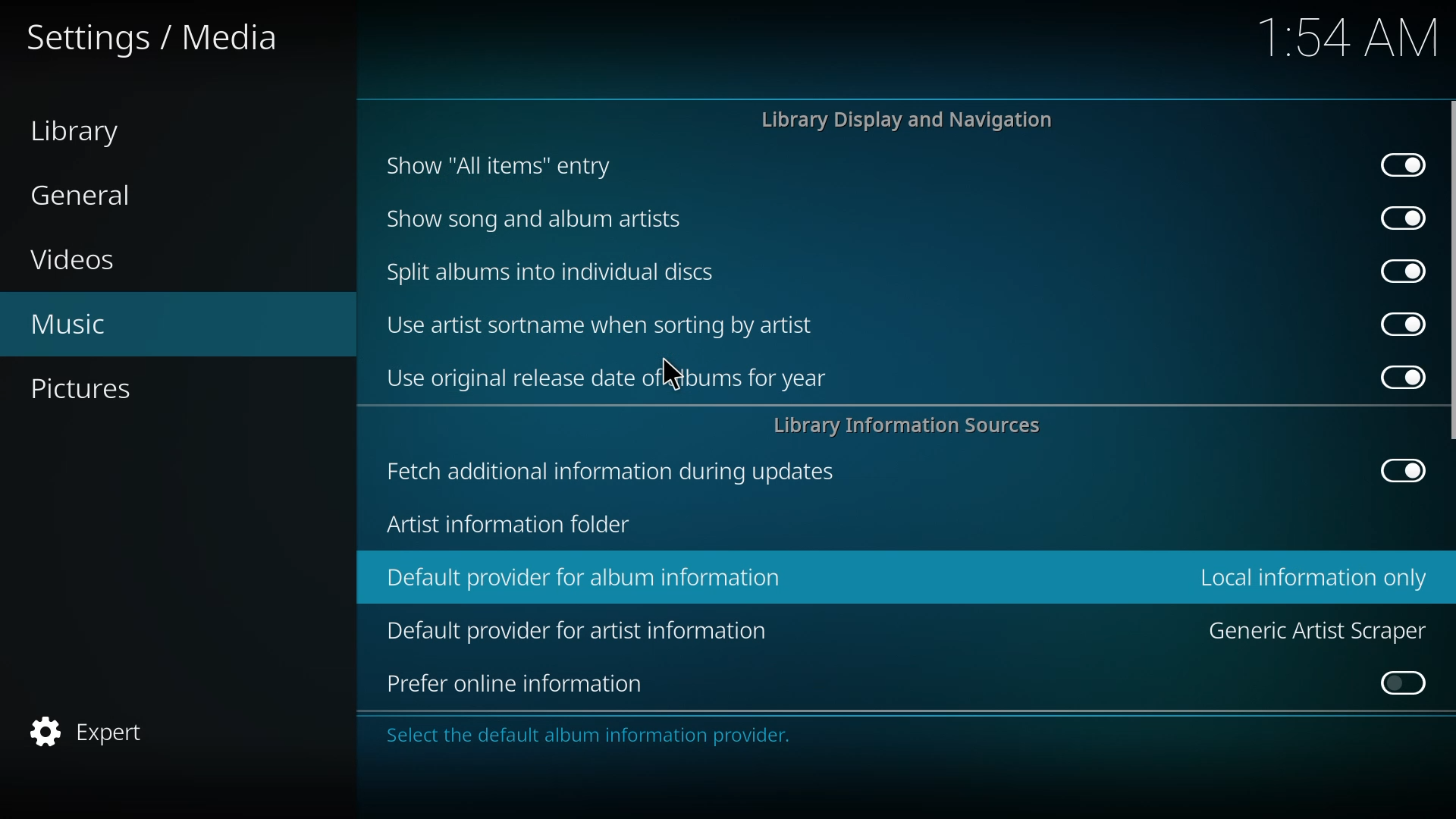  Describe the element at coordinates (516, 526) in the screenshot. I see `artist info folder` at that location.